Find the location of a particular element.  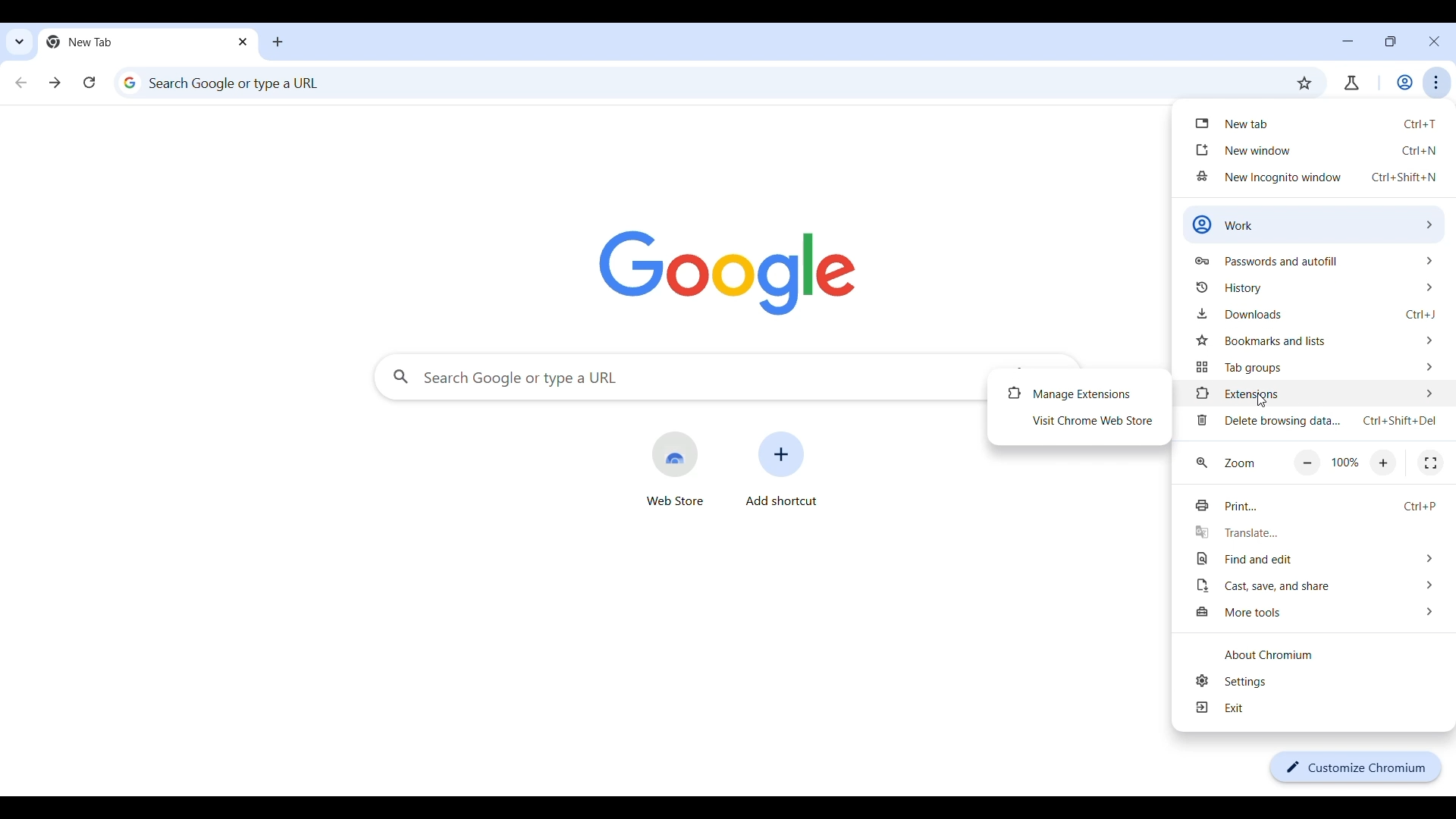

Zoom symbol is located at coordinates (1201, 462).